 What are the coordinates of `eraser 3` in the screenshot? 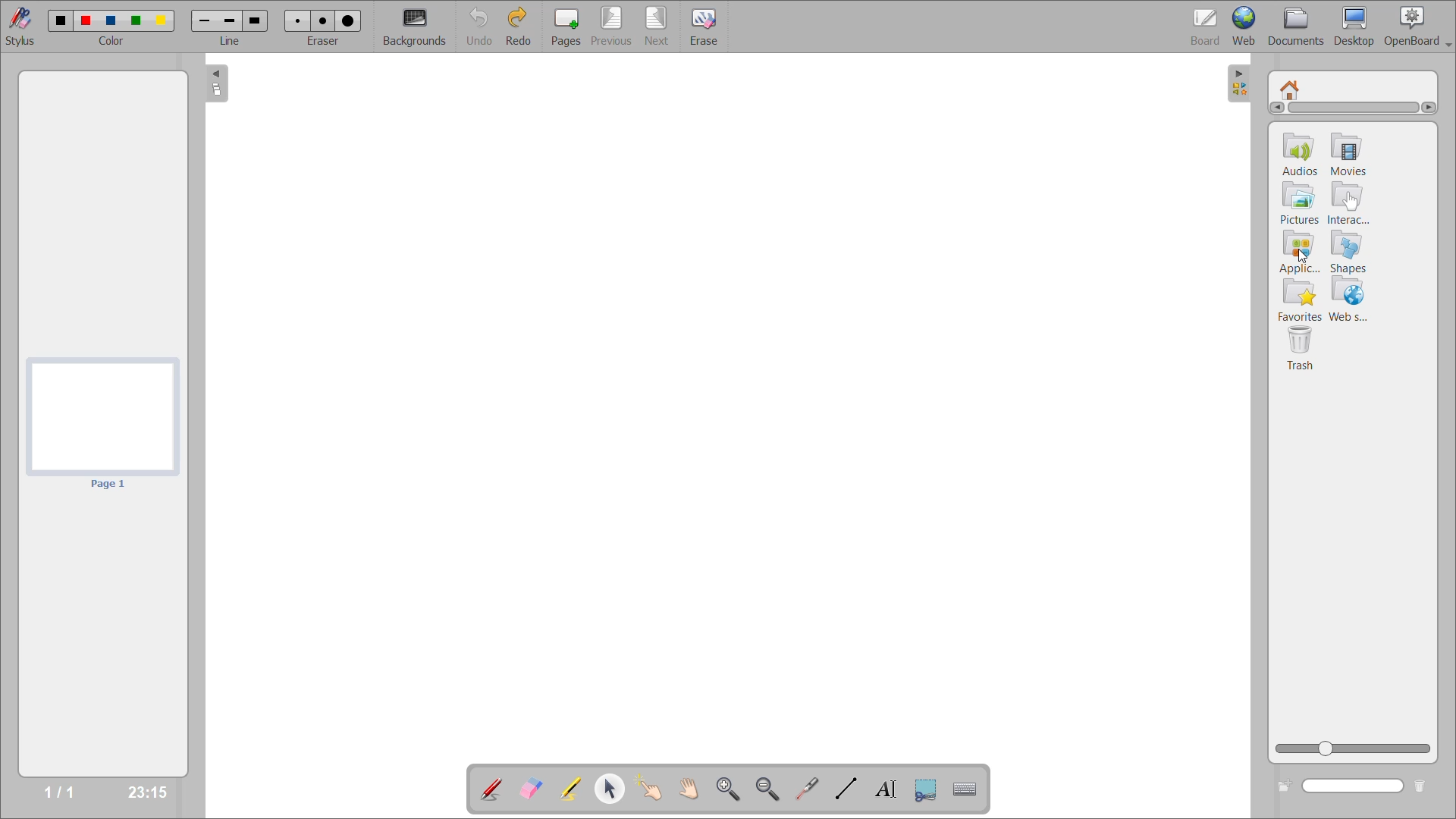 It's located at (348, 20).